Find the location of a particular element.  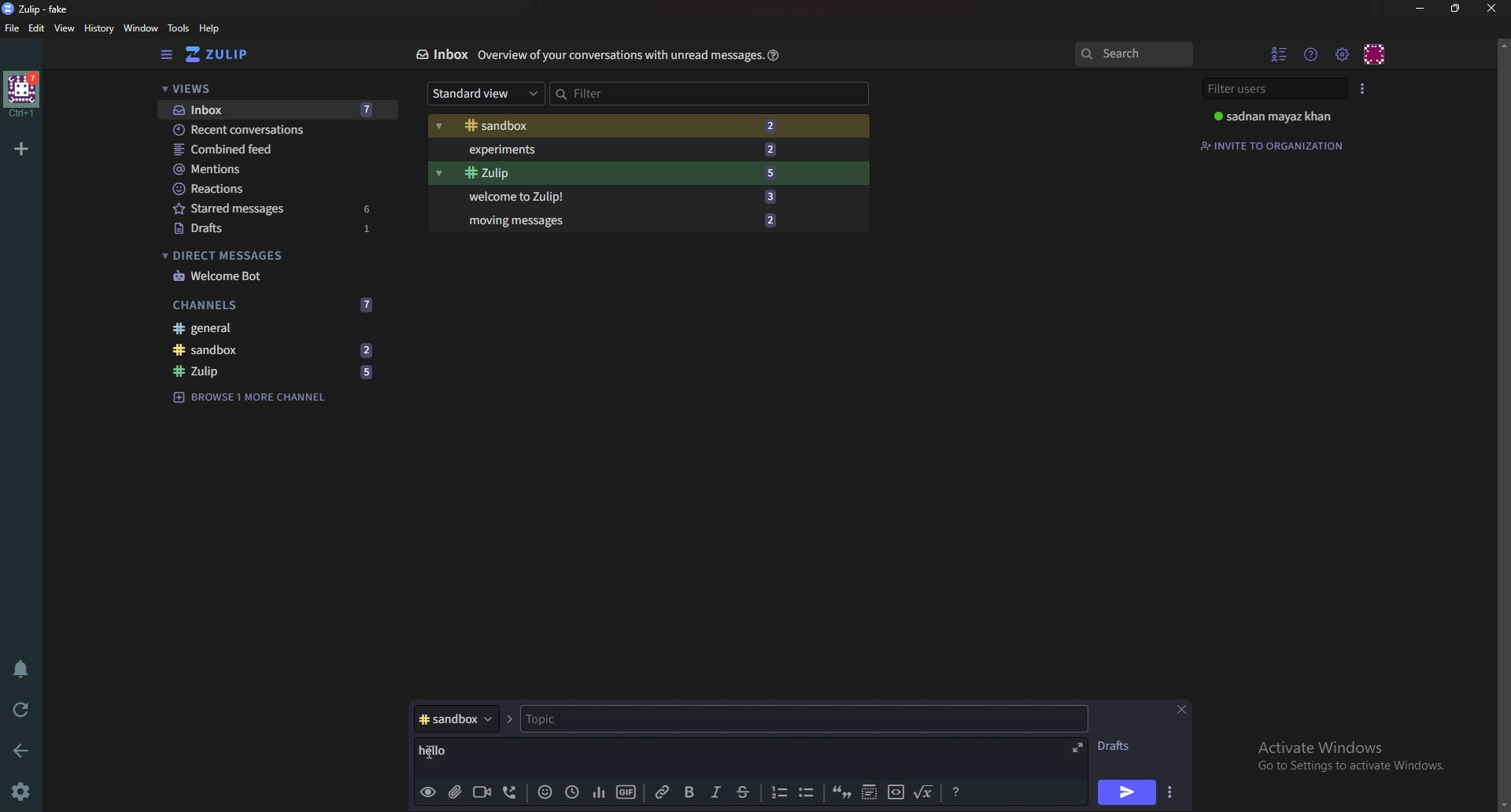

help is located at coordinates (772, 54).